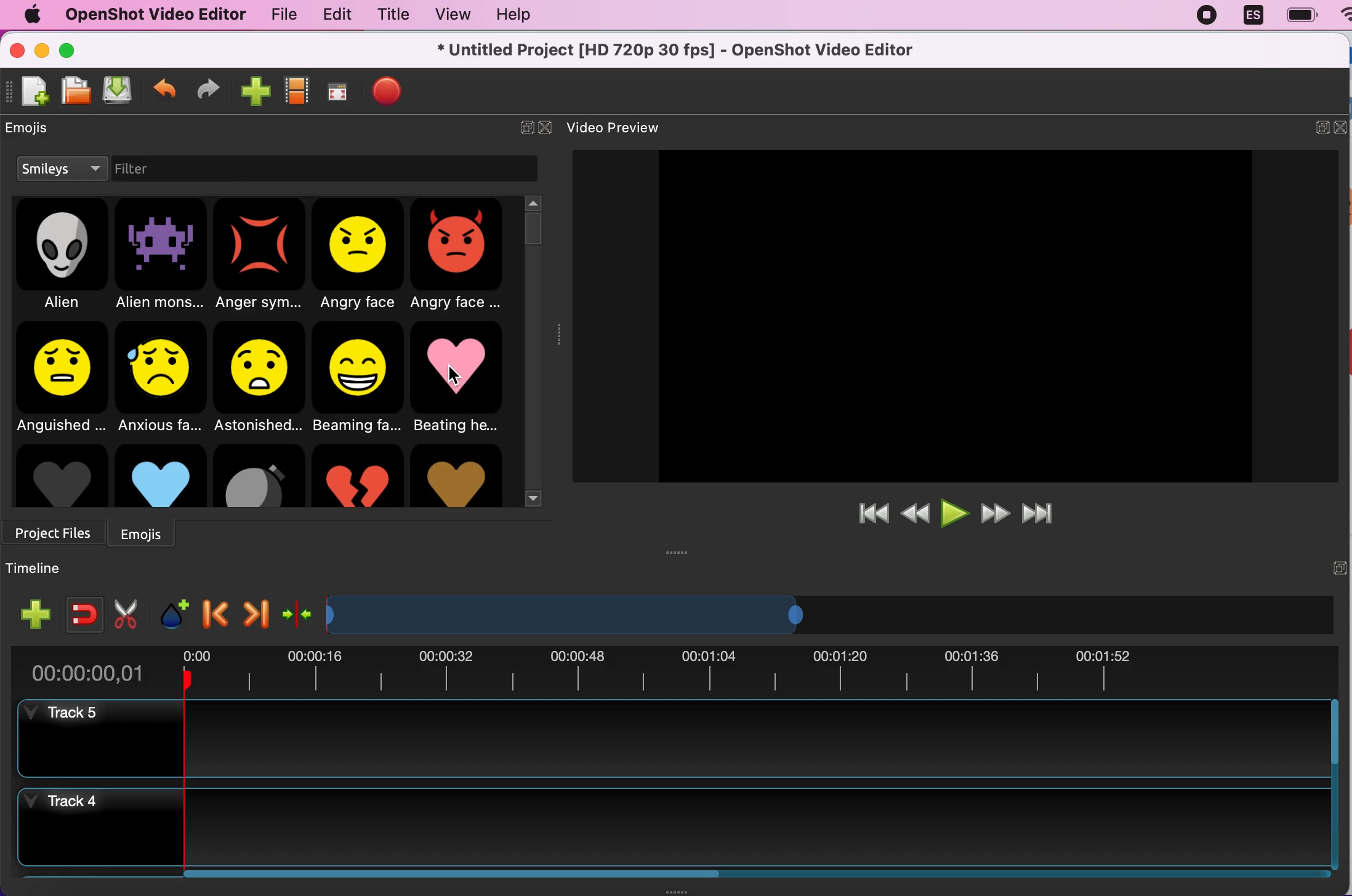  Describe the element at coordinates (672, 827) in the screenshot. I see `track 4` at that location.